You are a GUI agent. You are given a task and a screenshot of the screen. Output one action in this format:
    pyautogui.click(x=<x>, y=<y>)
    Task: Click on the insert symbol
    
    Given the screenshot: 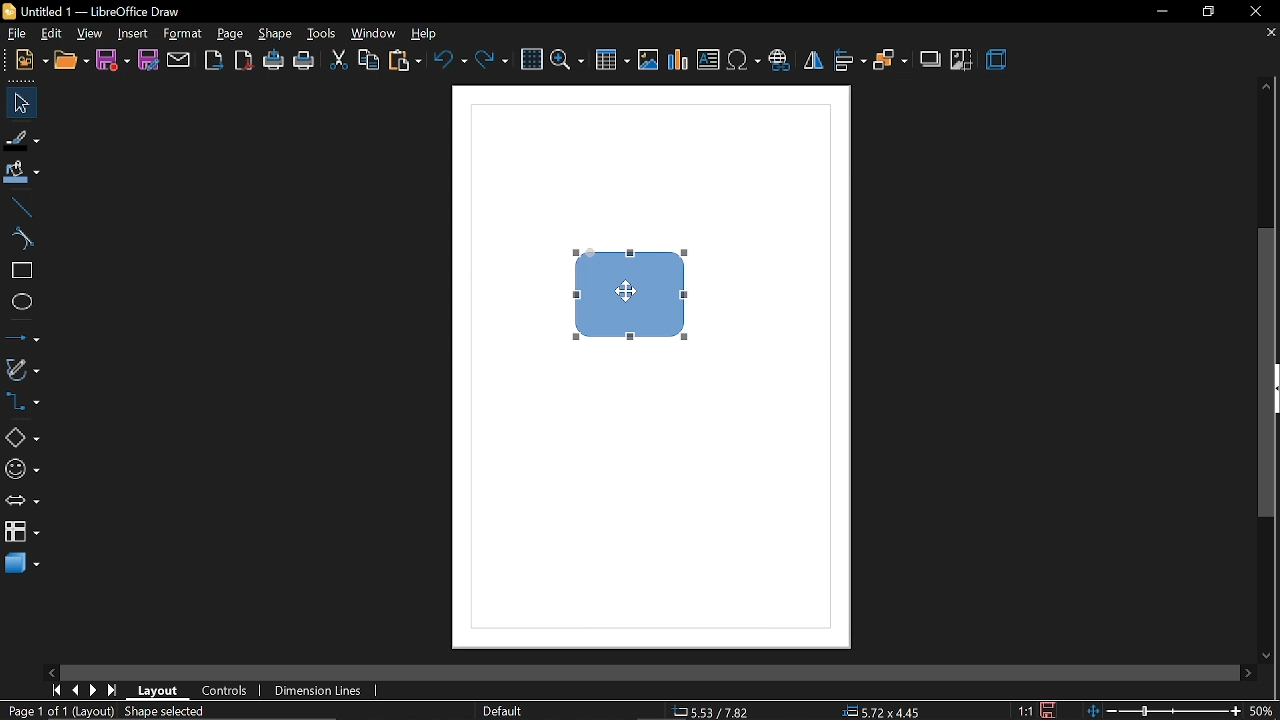 What is the action you would take?
    pyautogui.click(x=745, y=62)
    